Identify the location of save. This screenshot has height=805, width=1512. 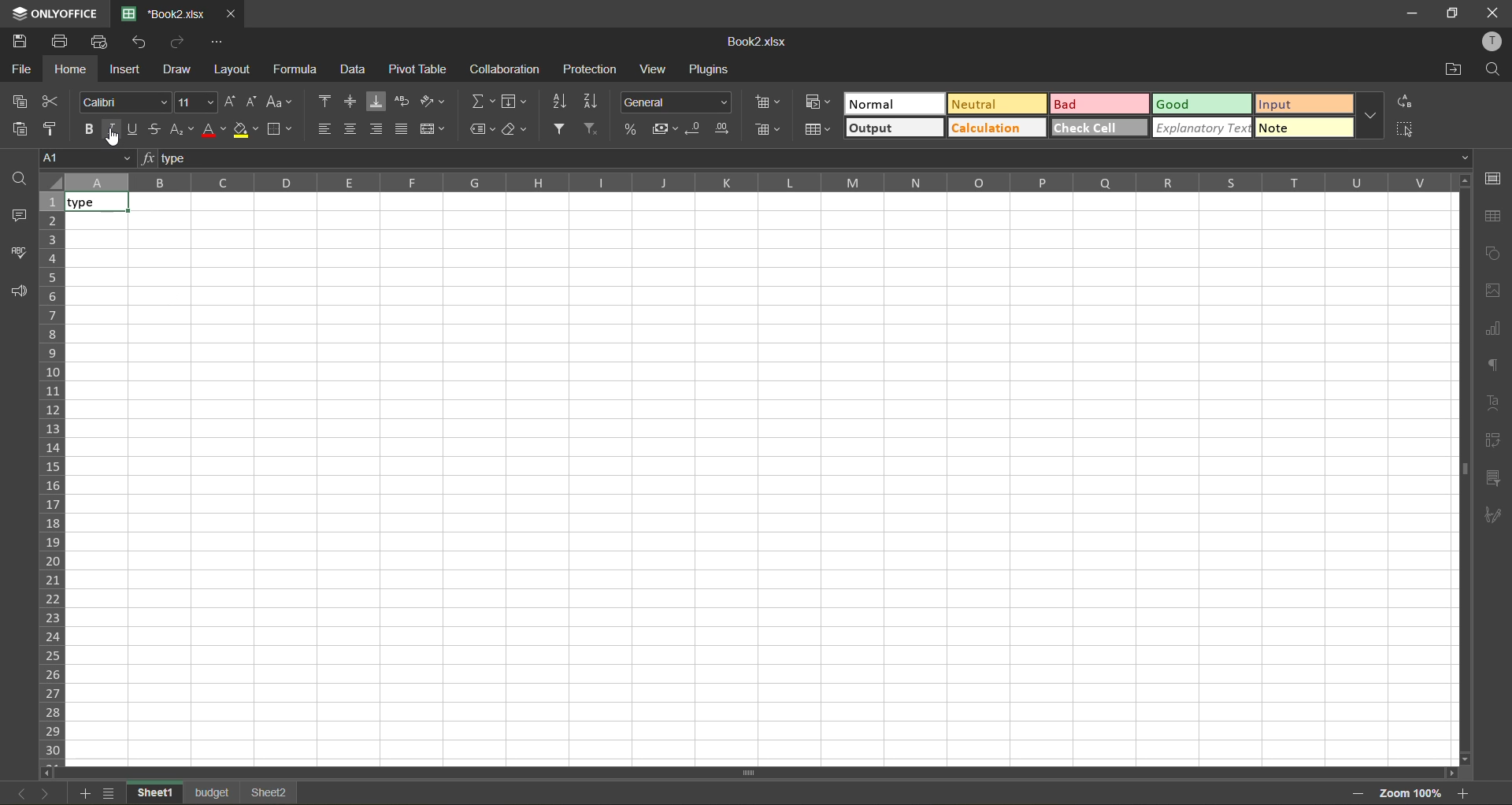
(23, 42).